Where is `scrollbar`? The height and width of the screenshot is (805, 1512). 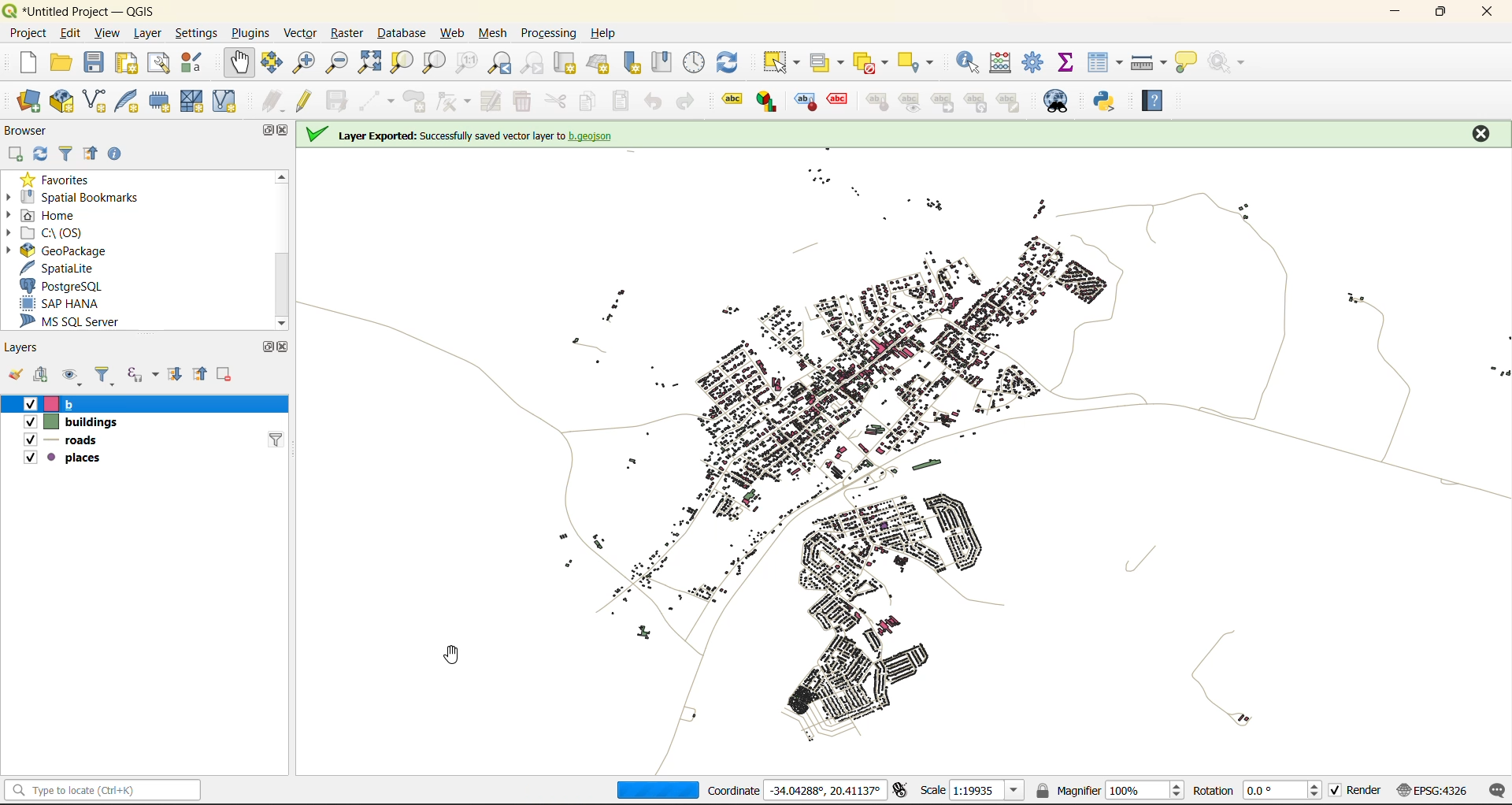 scrollbar is located at coordinates (282, 248).